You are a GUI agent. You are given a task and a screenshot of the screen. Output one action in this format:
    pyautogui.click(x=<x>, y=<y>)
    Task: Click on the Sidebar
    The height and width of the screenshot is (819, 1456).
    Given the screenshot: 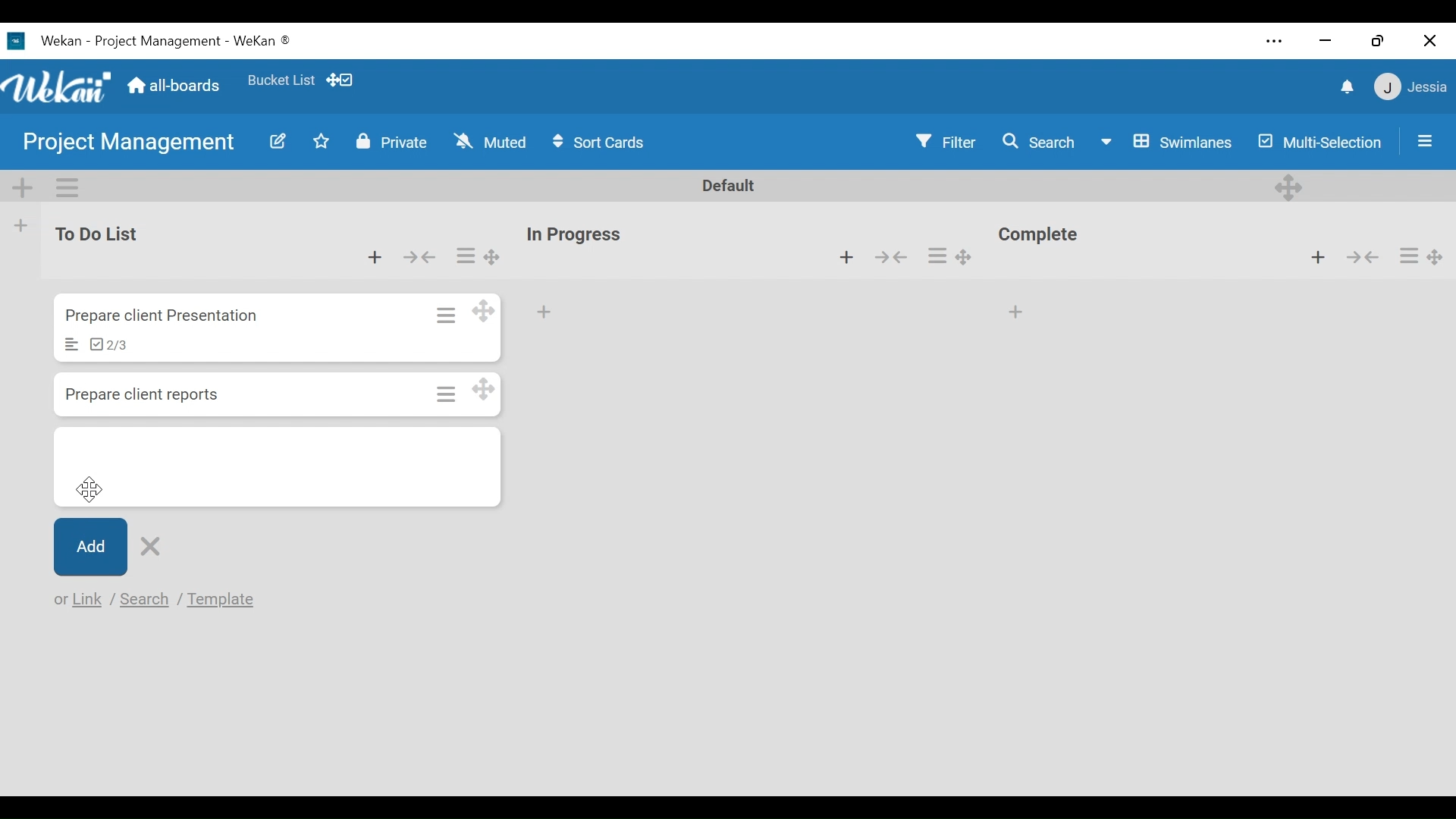 What is the action you would take?
    pyautogui.click(x=1420, y=140)
    